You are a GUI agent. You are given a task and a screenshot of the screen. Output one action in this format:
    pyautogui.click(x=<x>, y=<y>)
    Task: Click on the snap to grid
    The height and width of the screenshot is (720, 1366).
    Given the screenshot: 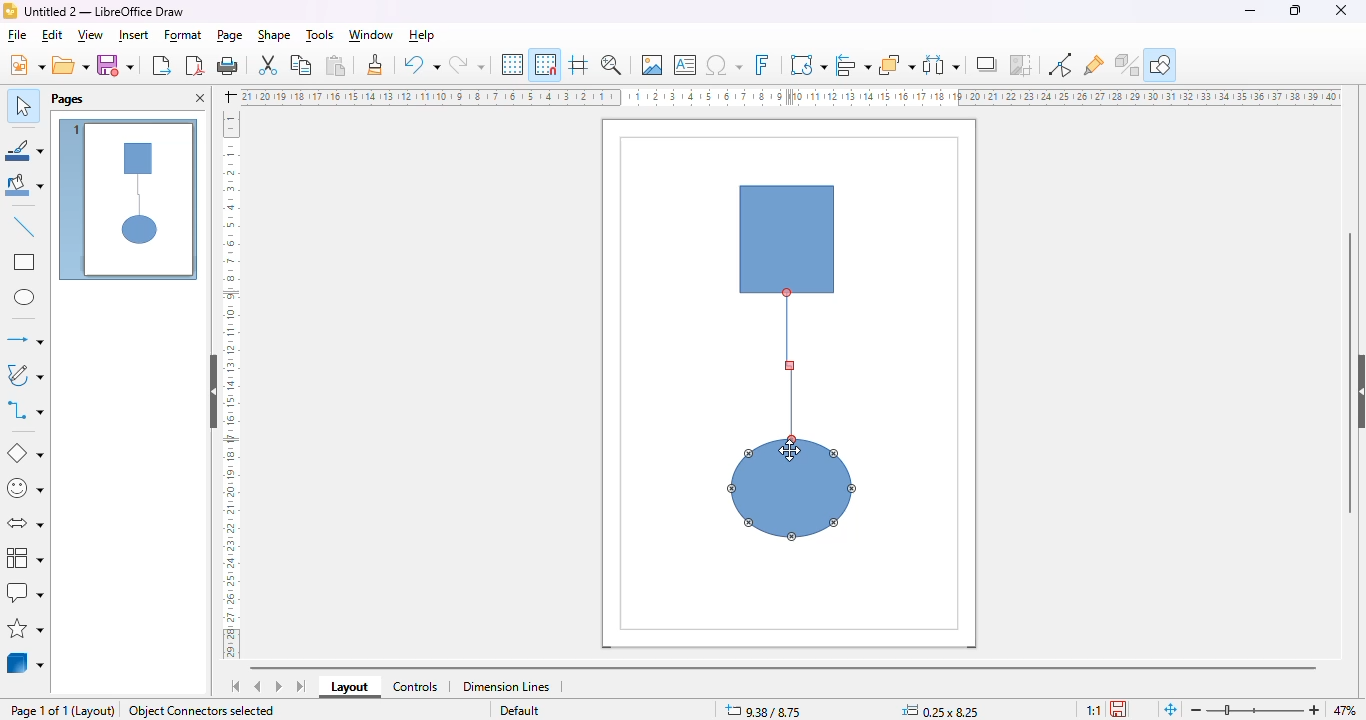 What is the action you would take?
    pyautogui.click(x=546, y=64)
    